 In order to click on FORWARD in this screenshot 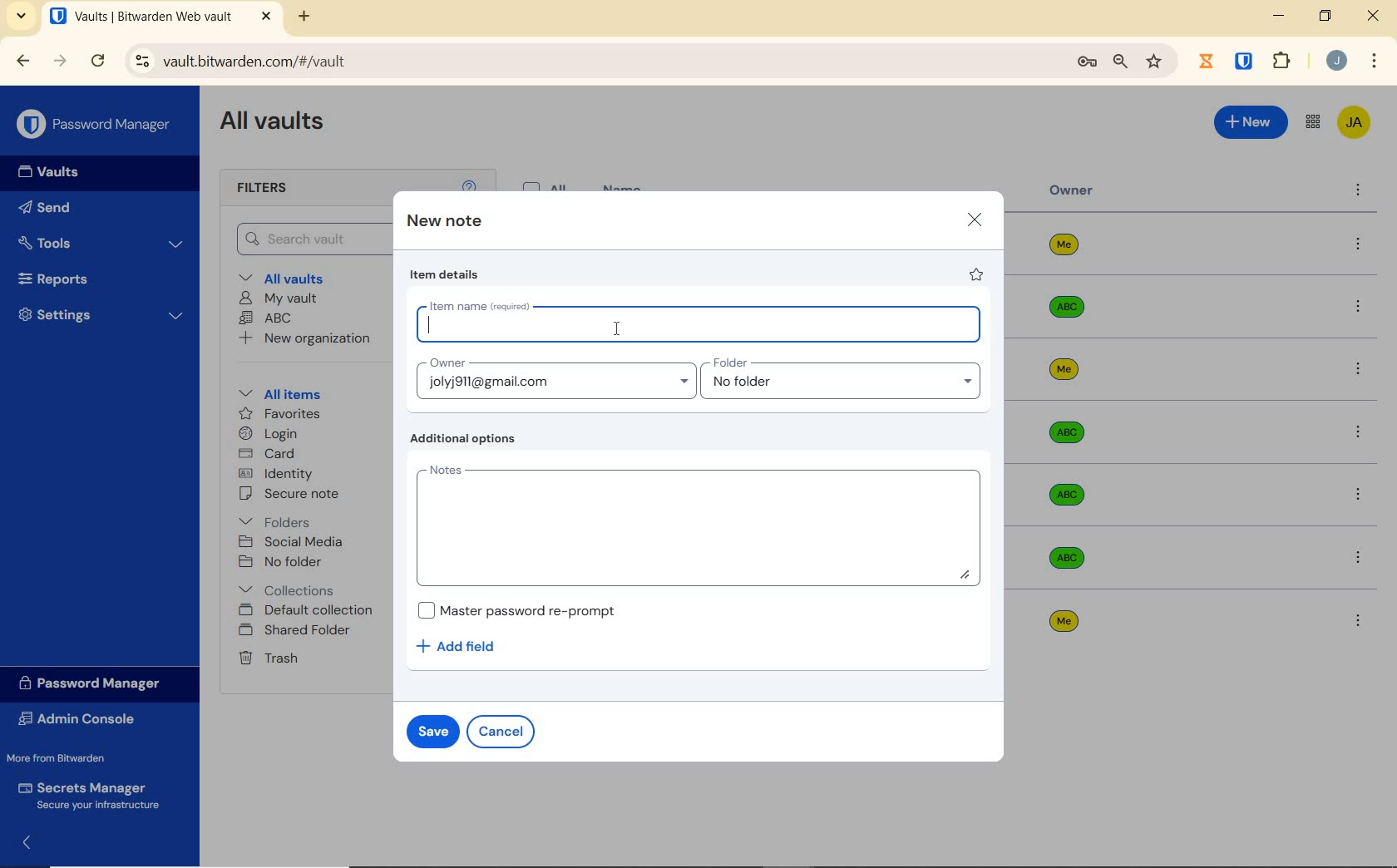, I will do `click(61, 62)`.